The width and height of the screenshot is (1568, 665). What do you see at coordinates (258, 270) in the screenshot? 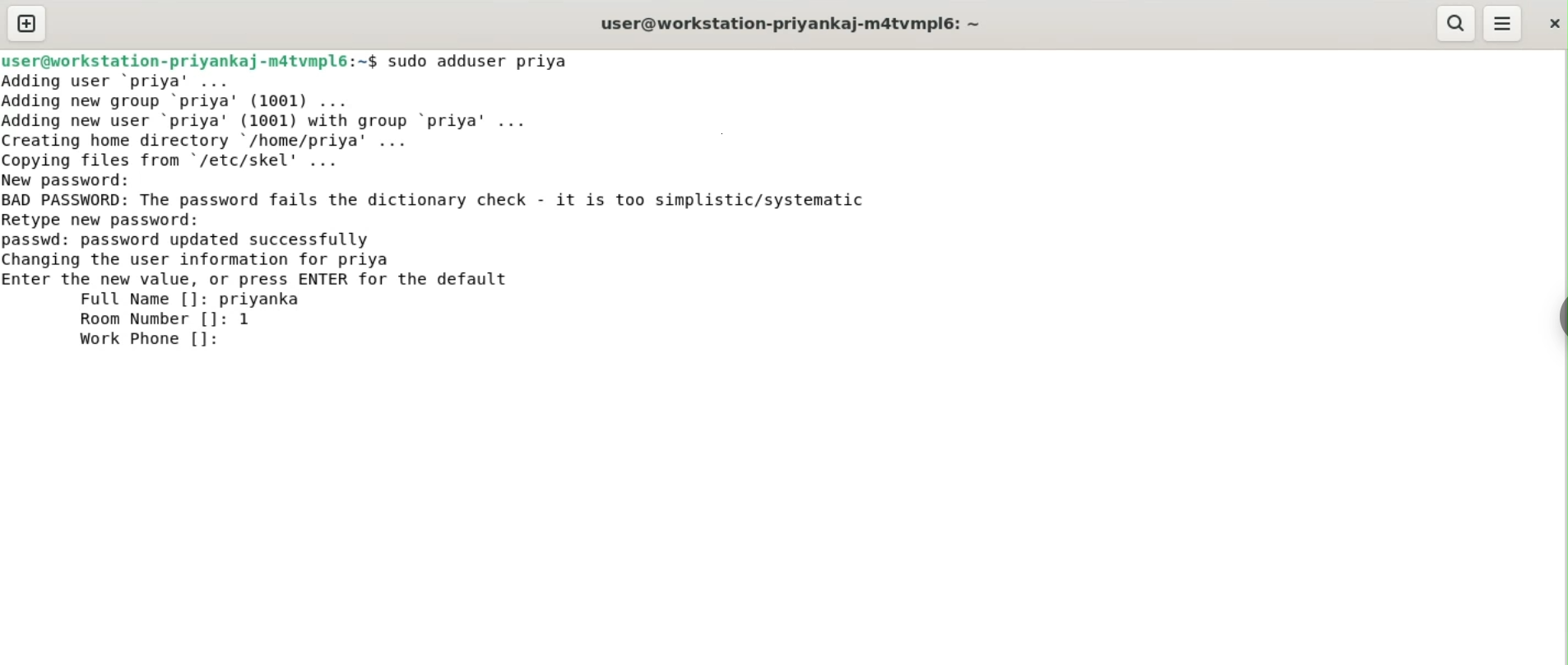
I see `passwd: password updated successfullyChanging the user information for priyaEnter the new value, or press ENTER for the defaultFull Name []: priyankal ` at bounding box center [258, 270].